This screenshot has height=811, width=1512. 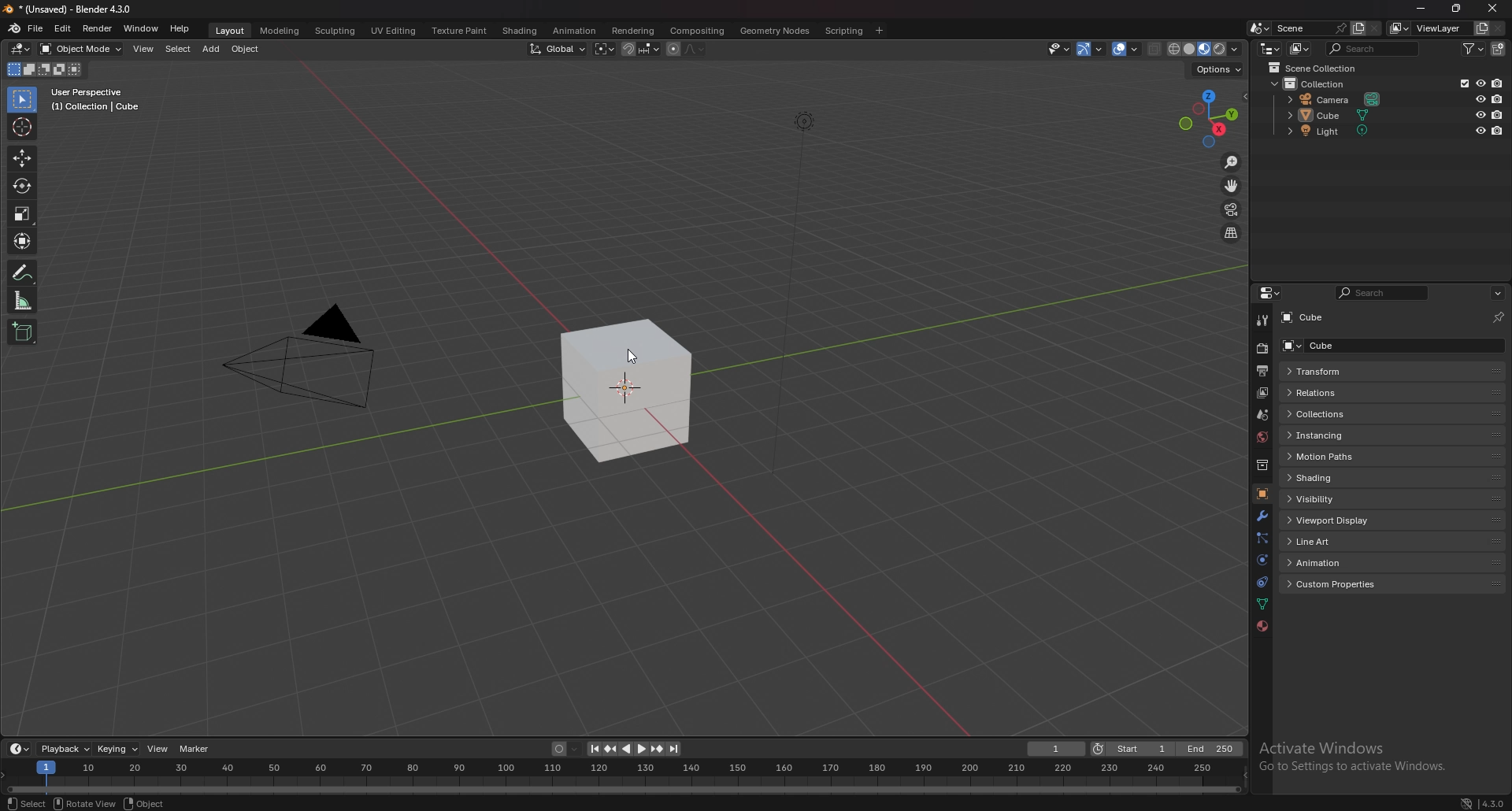 What do you see at coordinates (673, 50) in the screenshot?
I see `proportional editing objects` at bounding box center [673, 50].